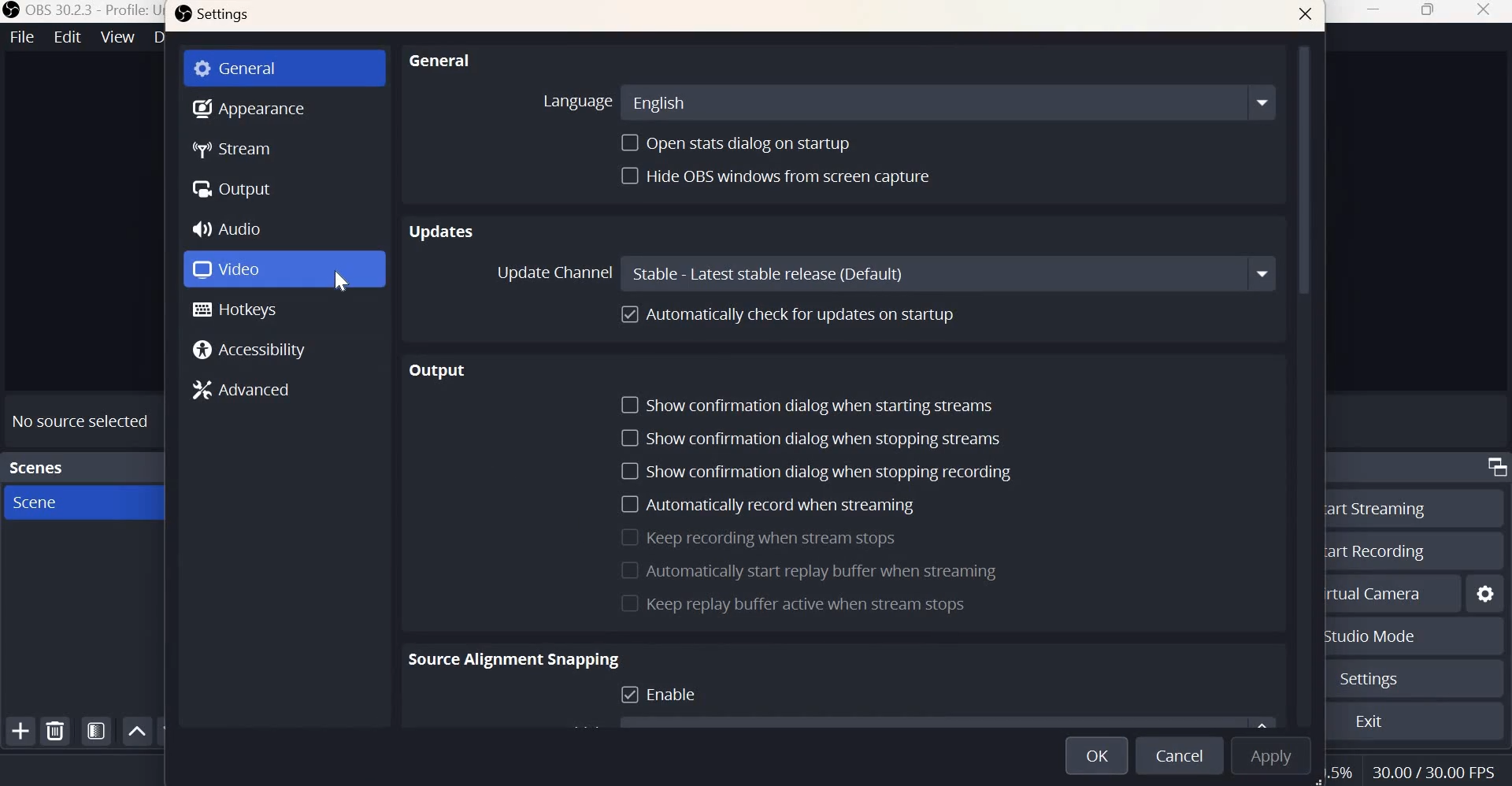 The height and width of the screenshot is (786, 1512). What do you see at coordinates (65, 37) in the screenshot?
I see `Edit` at bounding box center [65, 37].